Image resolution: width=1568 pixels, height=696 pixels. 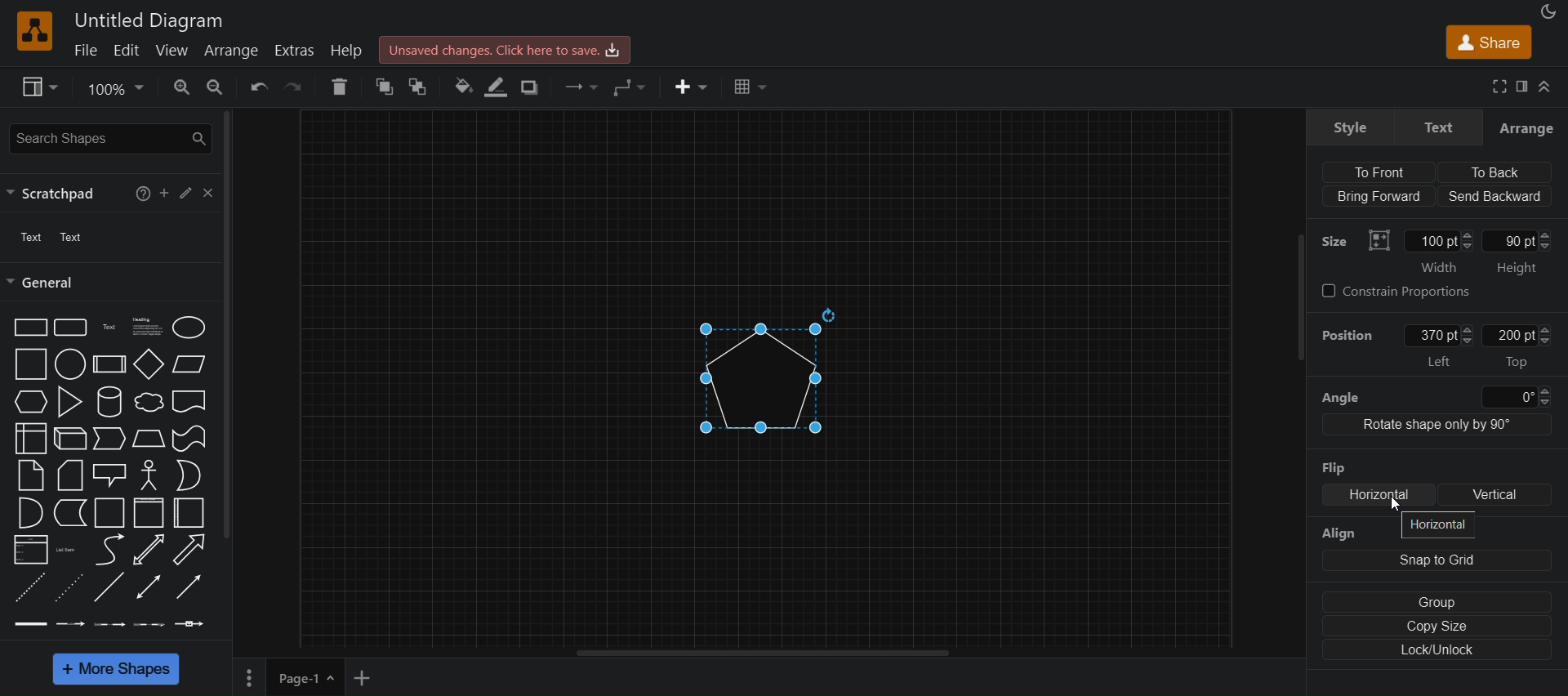 What do you see at coordinates (1438, 525) in the screenshot?
I see `Horizontal` at bounding box center [1438, 525].